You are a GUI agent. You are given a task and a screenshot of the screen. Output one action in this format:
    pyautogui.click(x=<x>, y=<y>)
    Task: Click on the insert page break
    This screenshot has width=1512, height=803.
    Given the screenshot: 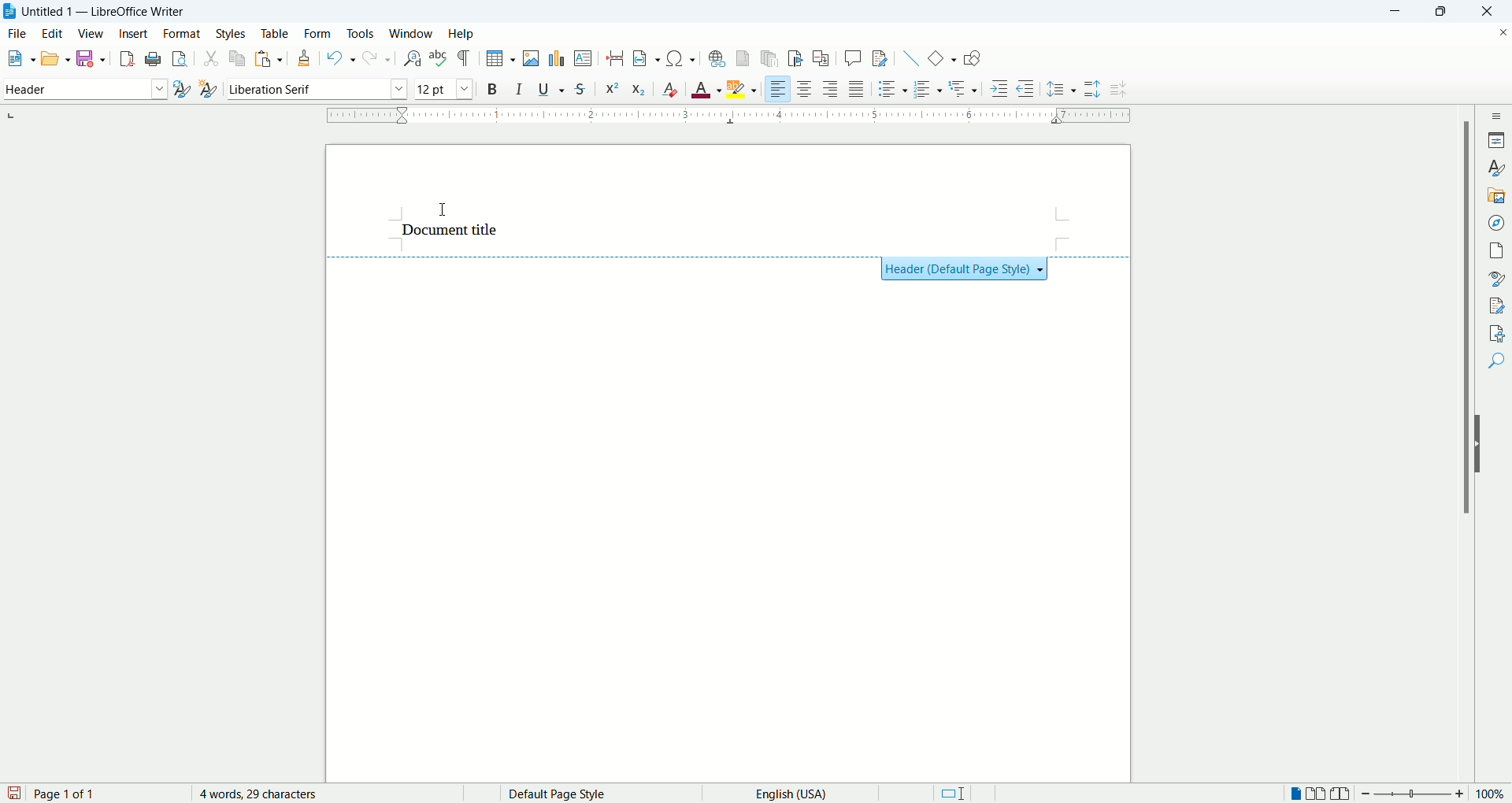 What is the action you would take?
    pyautogui.click(x=615, y=57)
    